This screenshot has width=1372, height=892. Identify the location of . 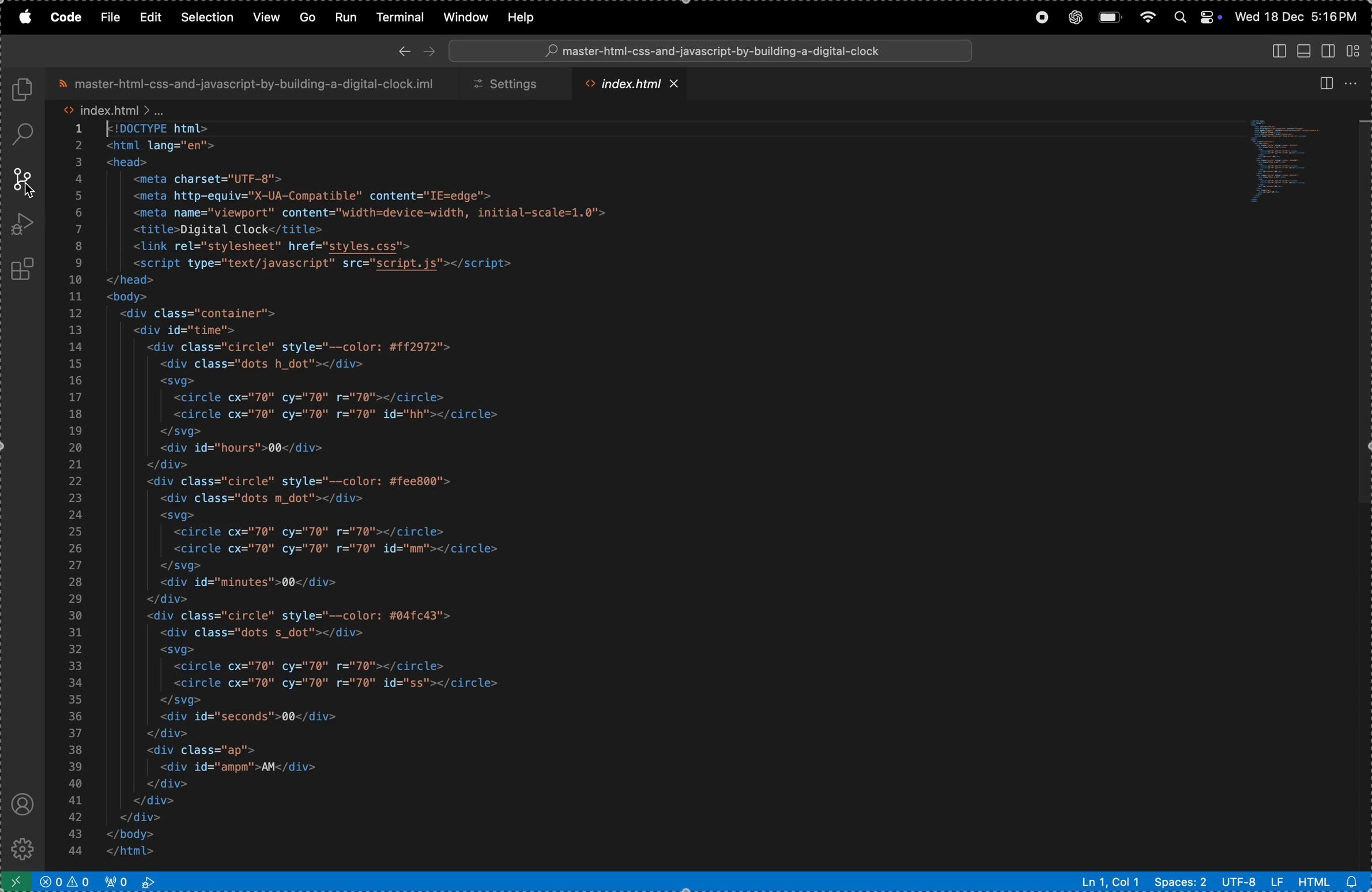
(1363, 301).